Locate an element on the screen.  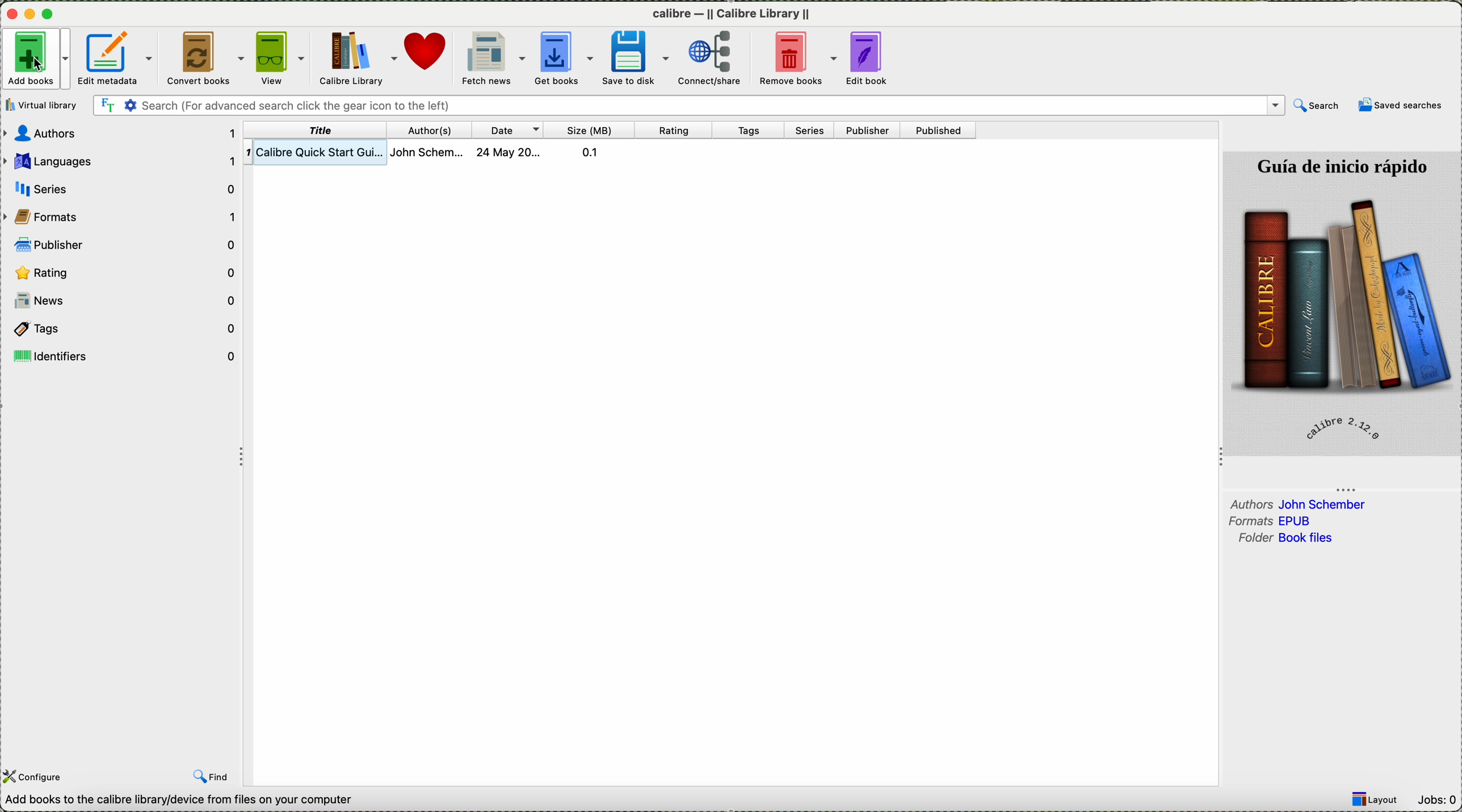
edit metadata is located at coordinates (118, 57).